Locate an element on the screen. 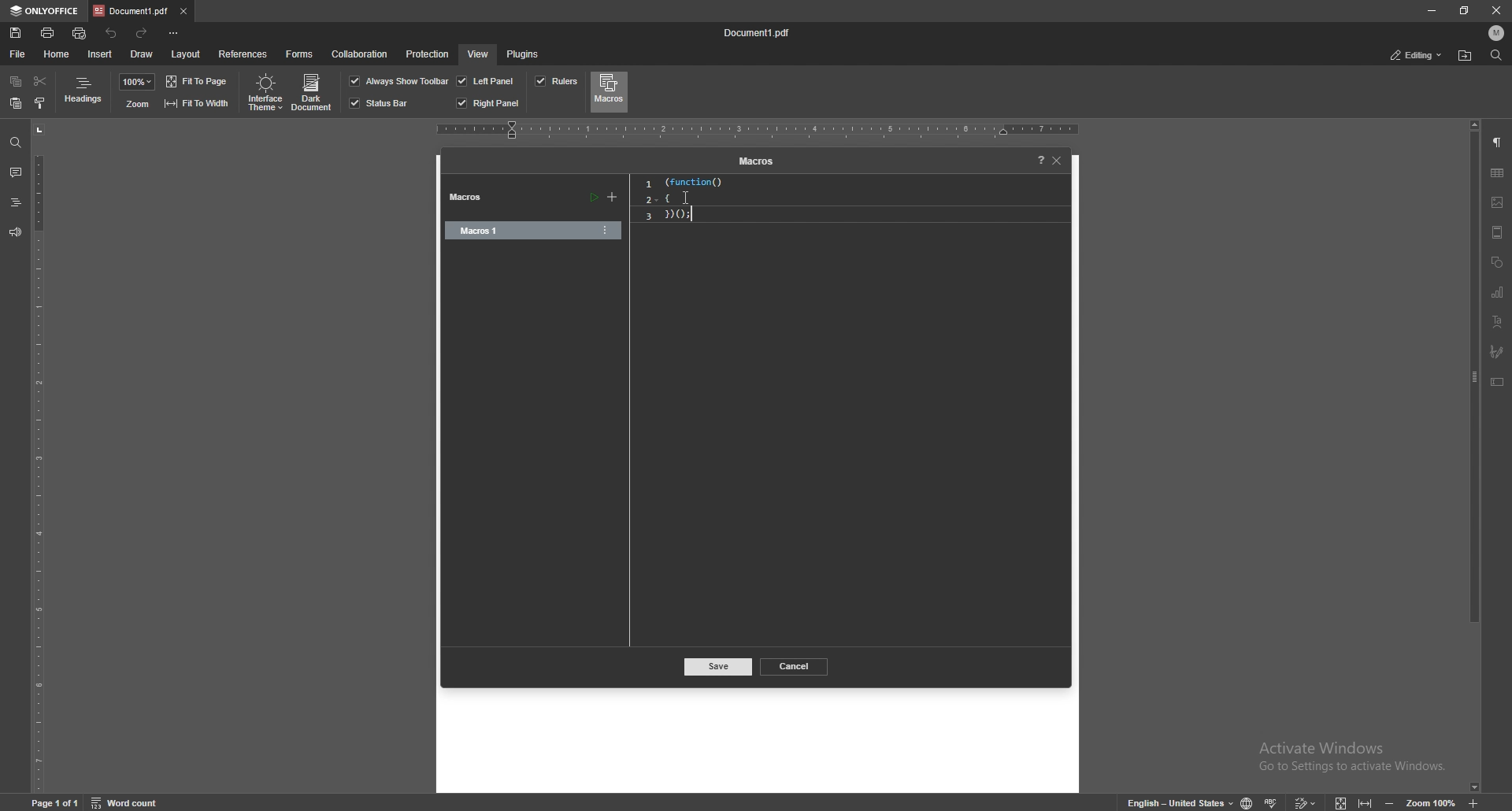  zoom is located at coordinates (137, 82).